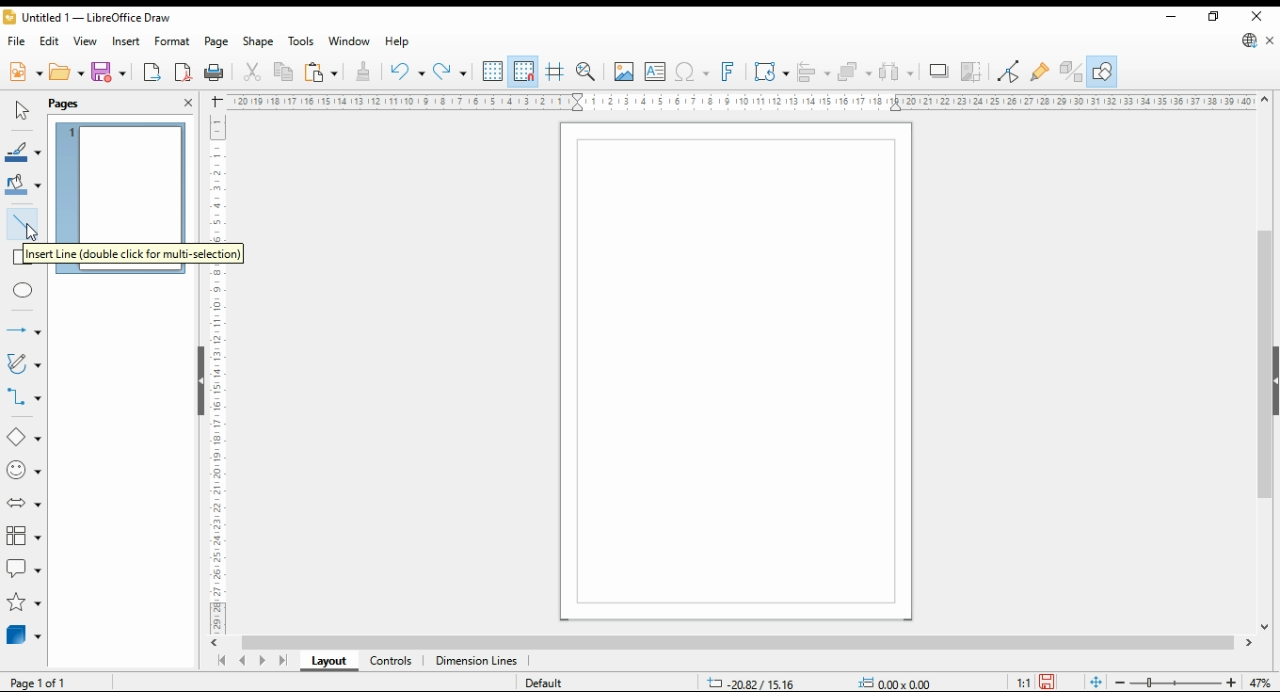 This screenshot has height=692, width=1280. I want to click on symbol shapes, so click(23, 471).